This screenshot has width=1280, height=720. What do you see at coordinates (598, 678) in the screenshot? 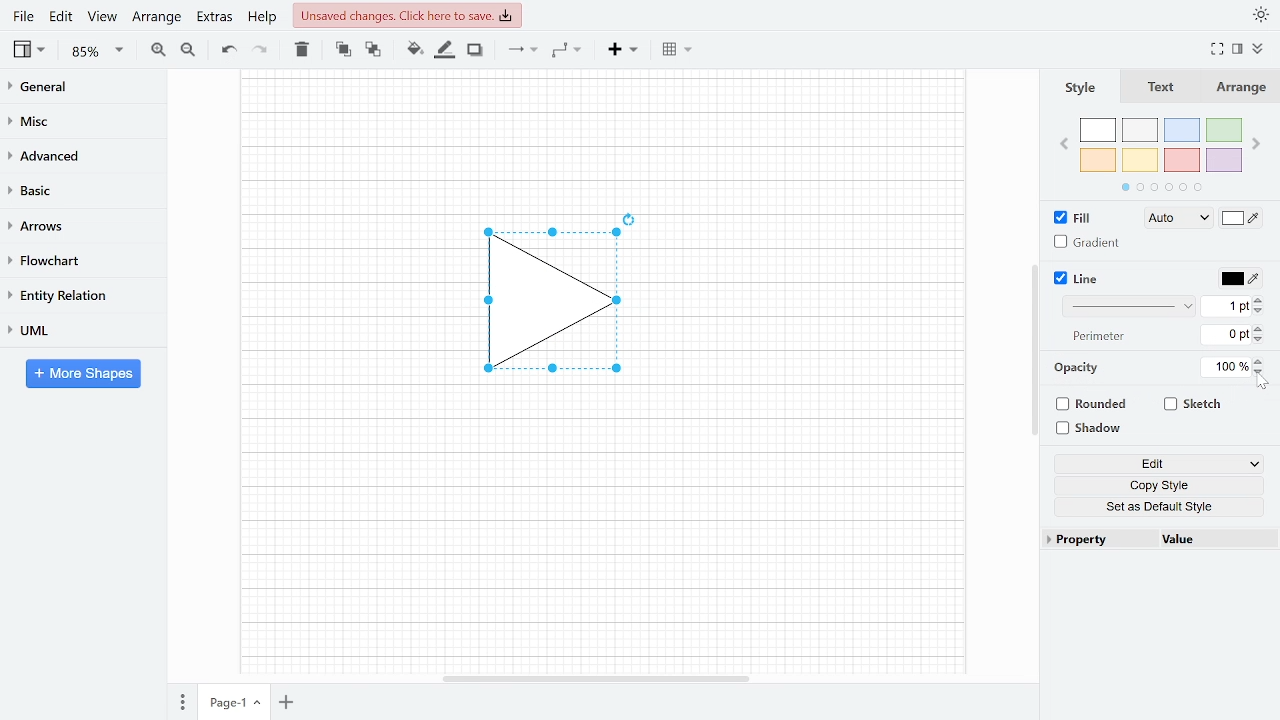
I see `Horizontal scrollbar` at bounding box center [598, 678].